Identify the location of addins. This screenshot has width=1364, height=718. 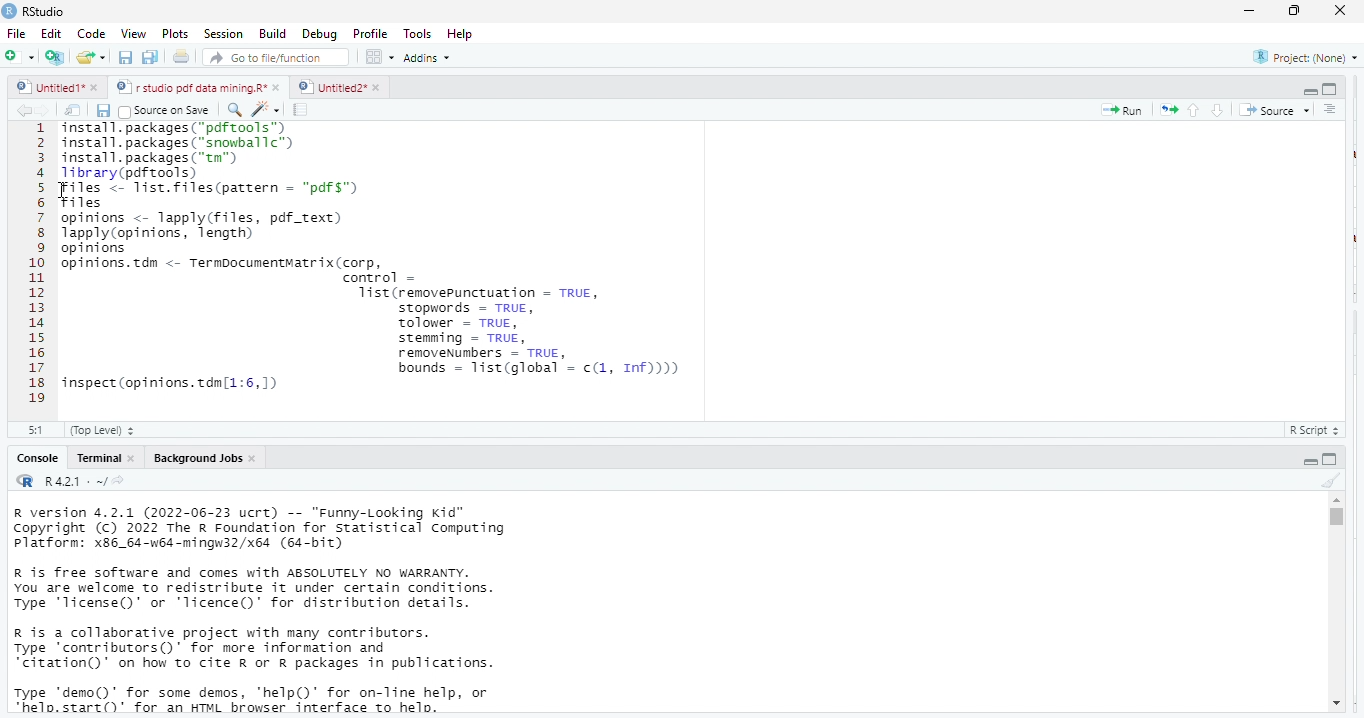
(432, 57).